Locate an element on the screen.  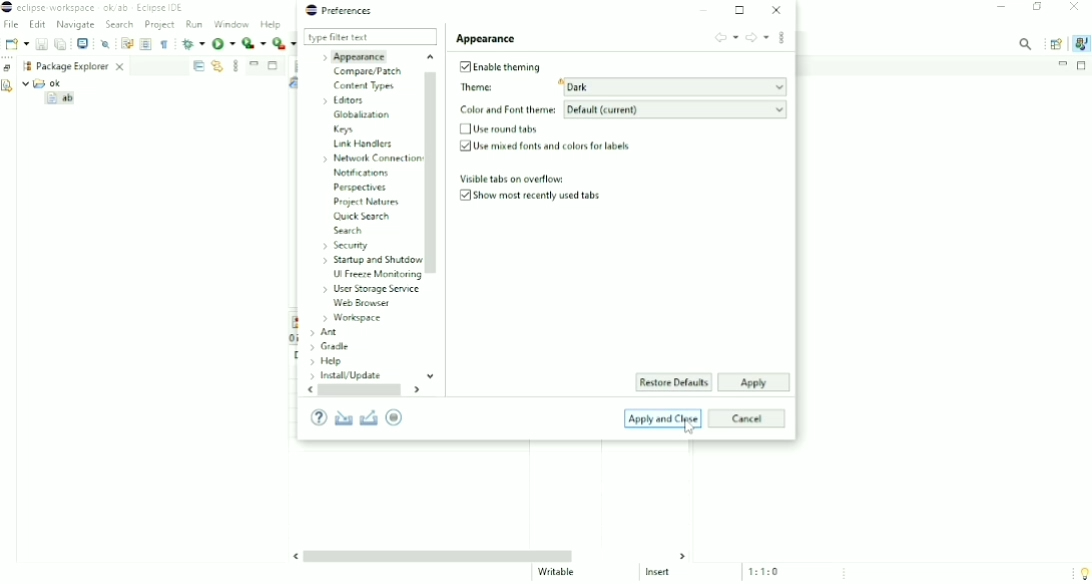
User Storage Service is located at coordinates (368, 289).